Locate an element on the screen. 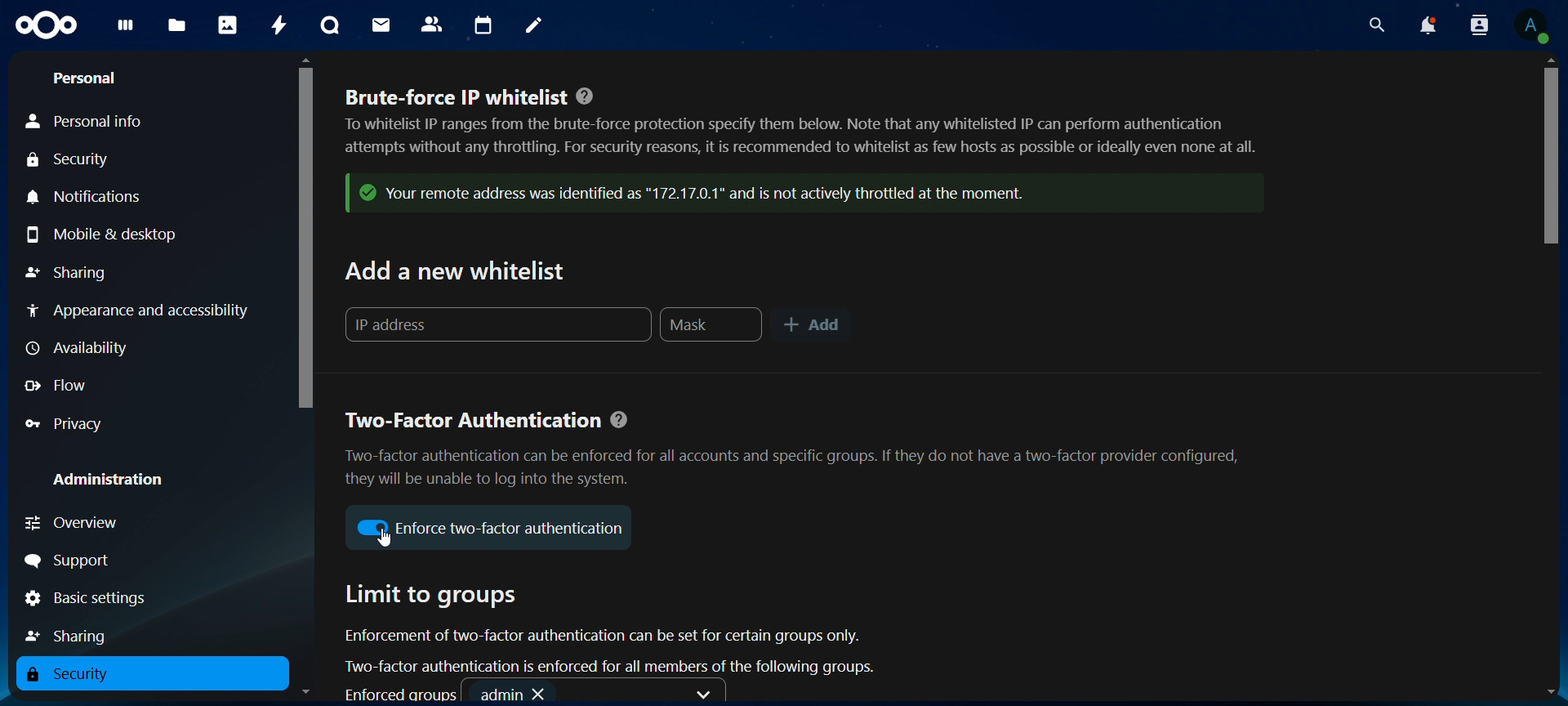  mail is located at coordinates (381, 25).